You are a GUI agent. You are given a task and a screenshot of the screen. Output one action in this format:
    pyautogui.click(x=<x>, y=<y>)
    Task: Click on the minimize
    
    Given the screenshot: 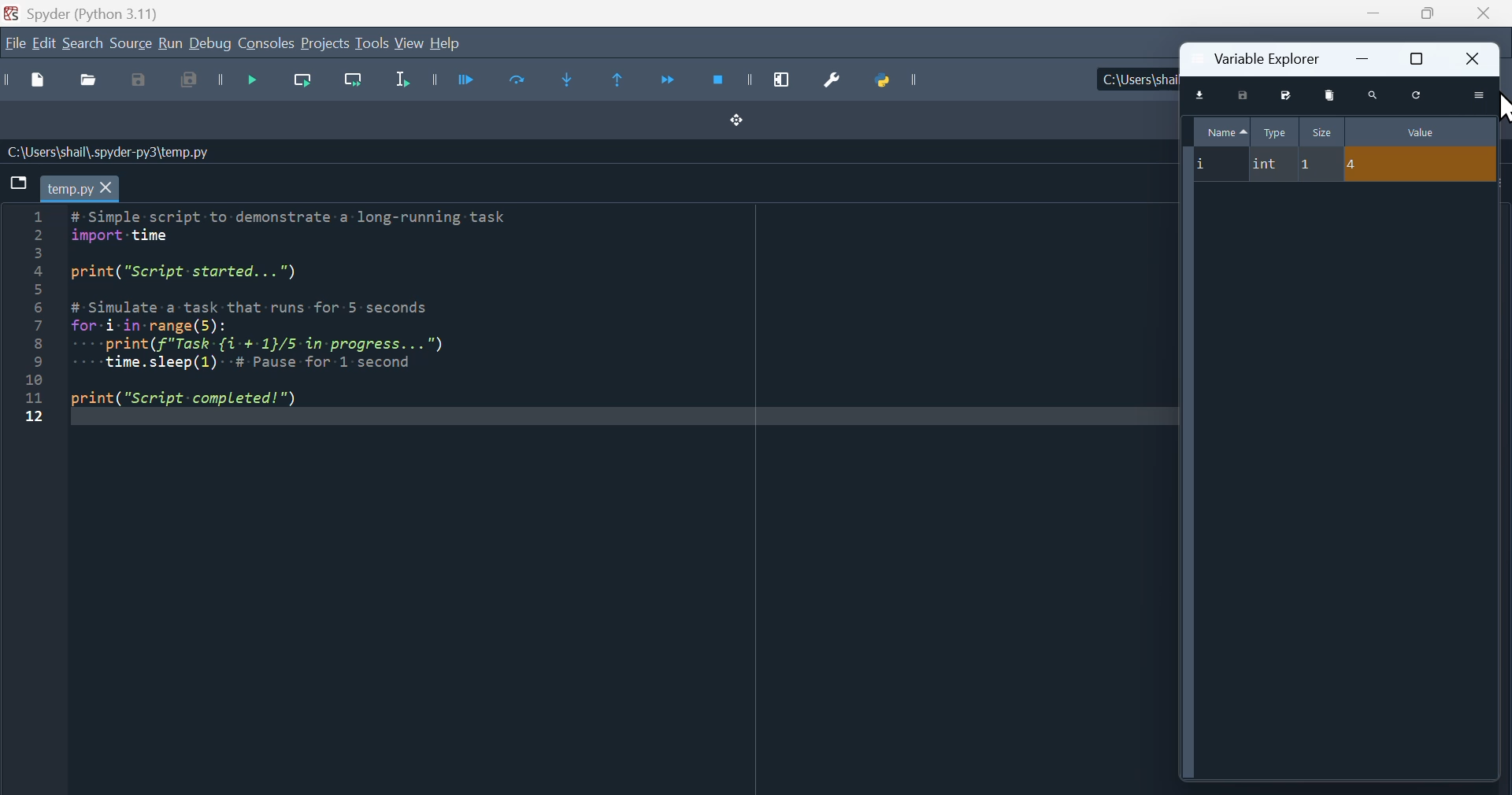 What is the action you would take?
    pyautogui.click(x=1366, y=57)
    